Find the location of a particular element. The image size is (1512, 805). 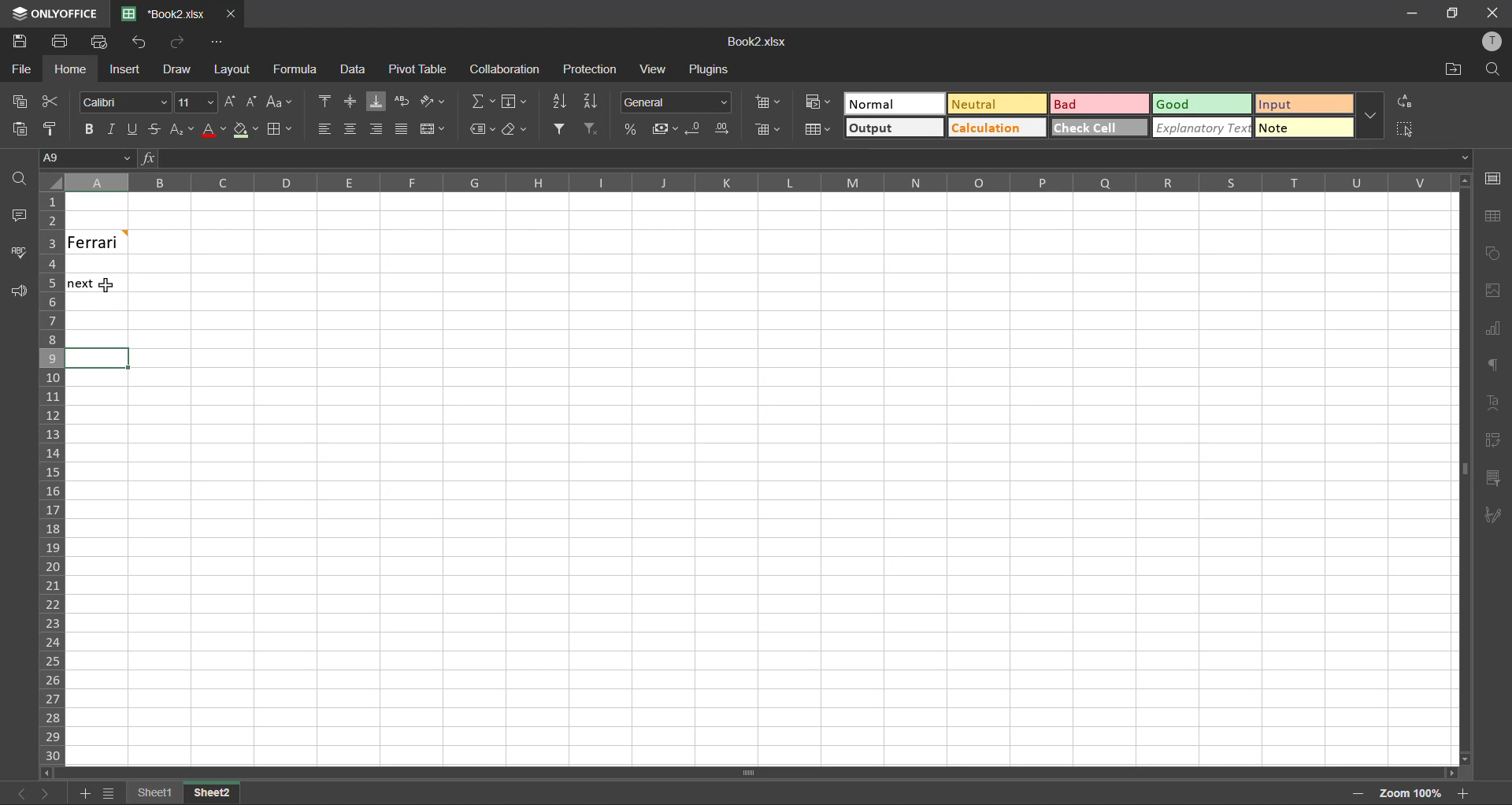

table is located at coordinates (1492, 216).